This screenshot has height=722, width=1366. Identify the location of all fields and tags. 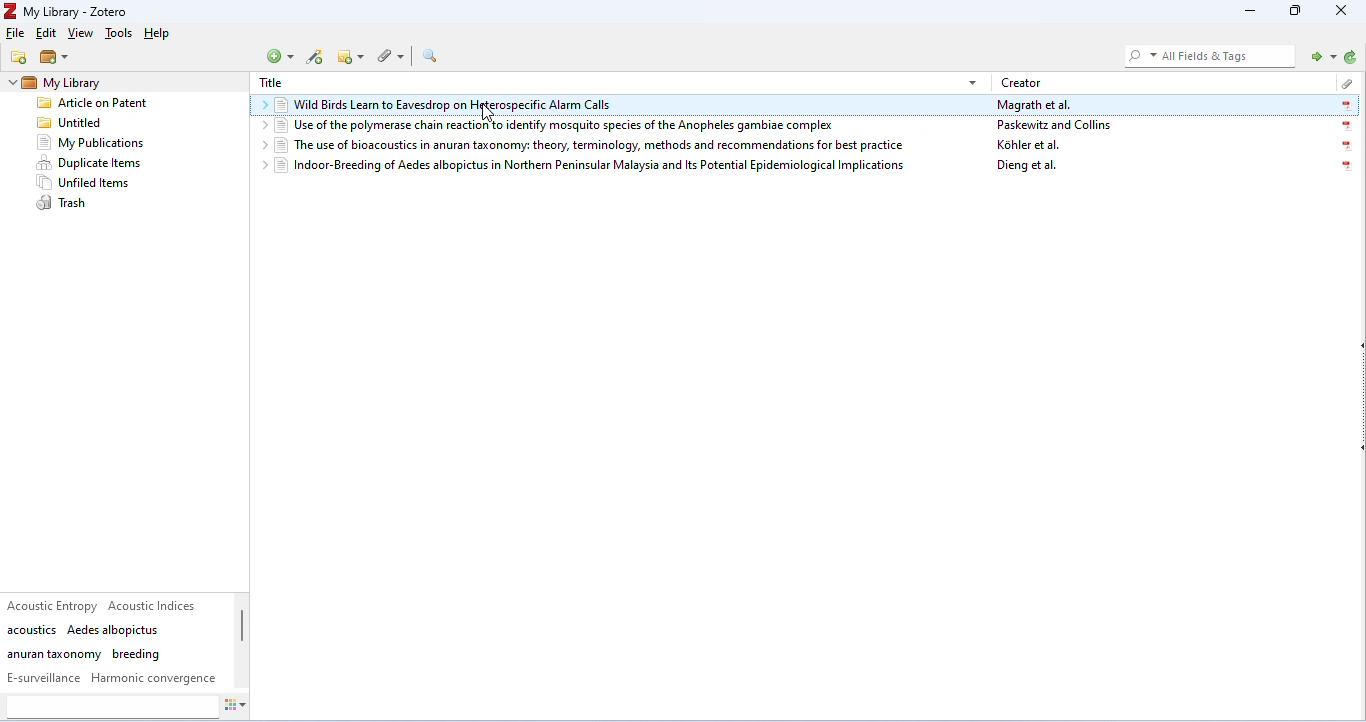
(1207, 55).